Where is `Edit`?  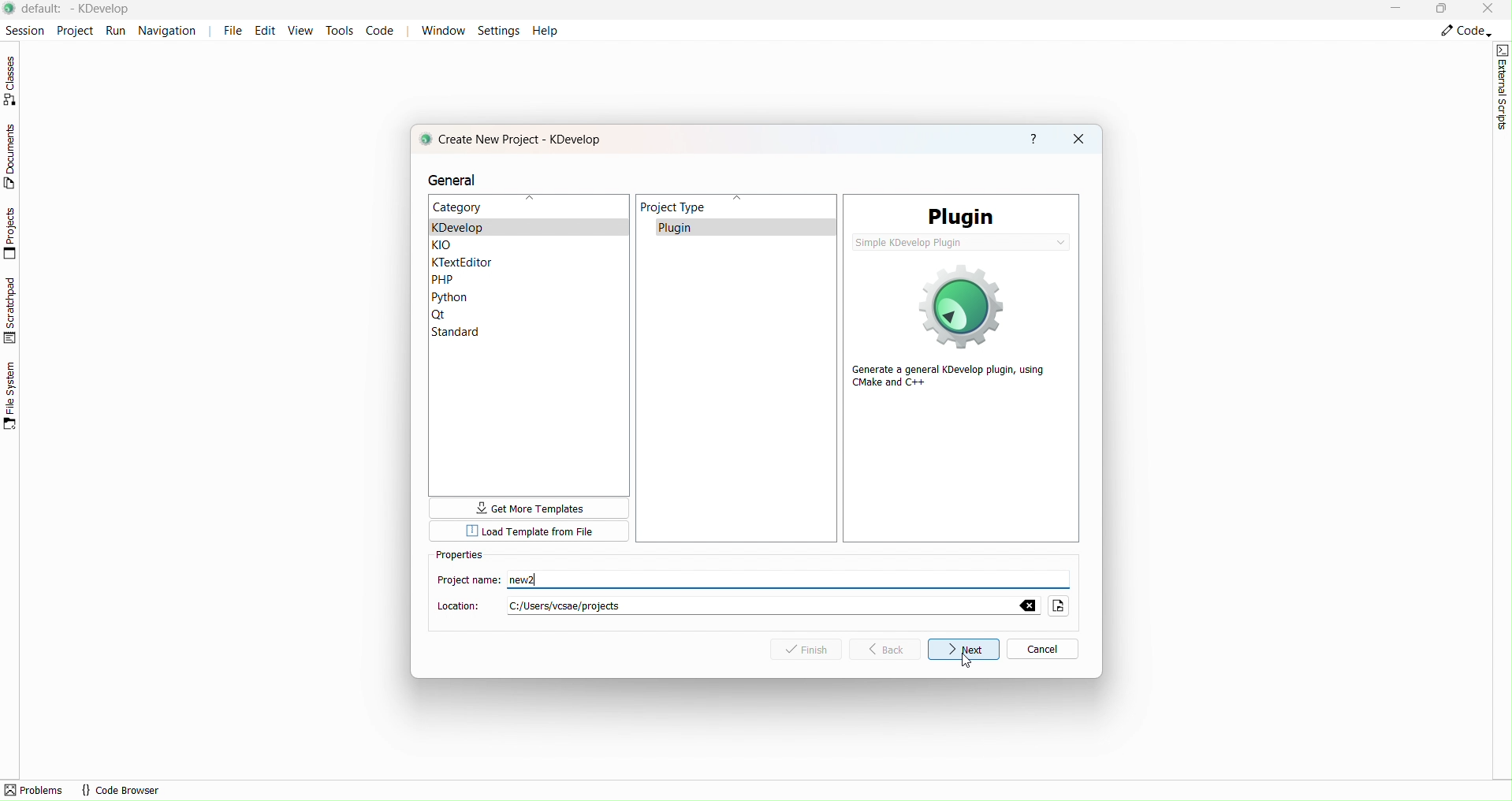
Edit is located at coordinates (269, 31).